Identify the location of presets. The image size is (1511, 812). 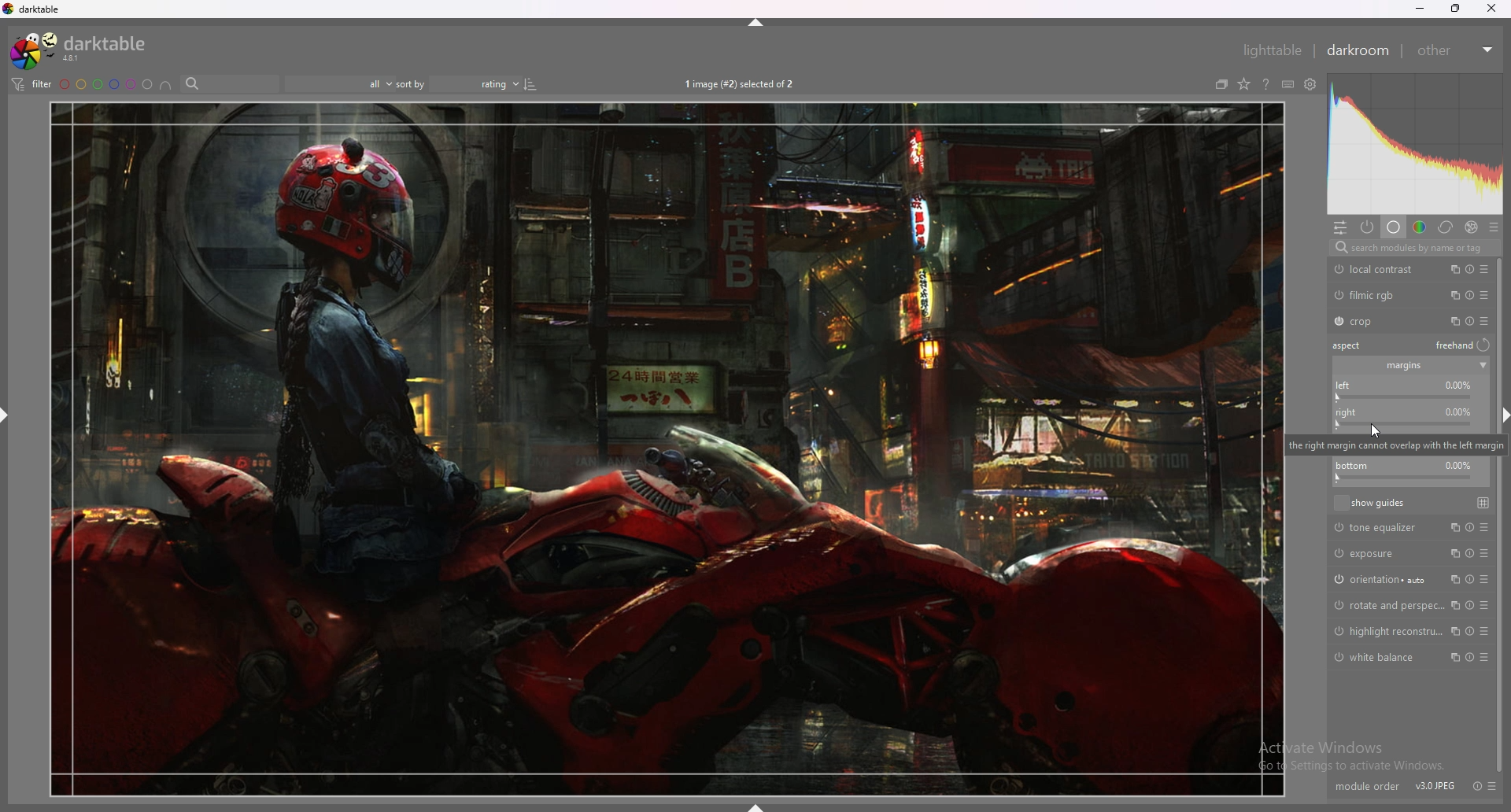
(1493, 786).